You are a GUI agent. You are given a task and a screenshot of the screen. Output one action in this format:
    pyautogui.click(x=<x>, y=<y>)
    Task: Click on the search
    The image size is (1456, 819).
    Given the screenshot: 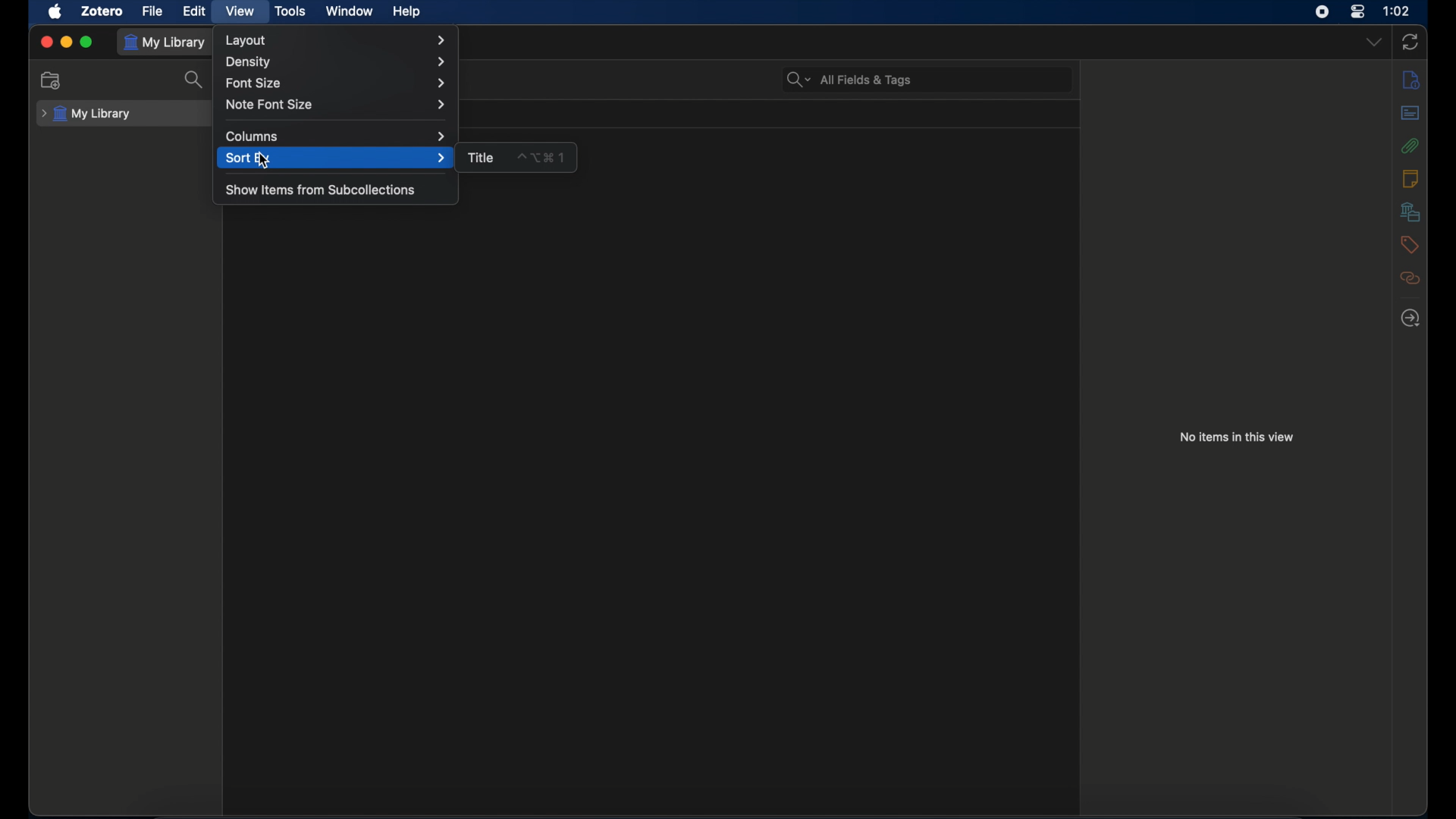 What is the action you would take?
    pyautogui.click(x=193, y=81)
    